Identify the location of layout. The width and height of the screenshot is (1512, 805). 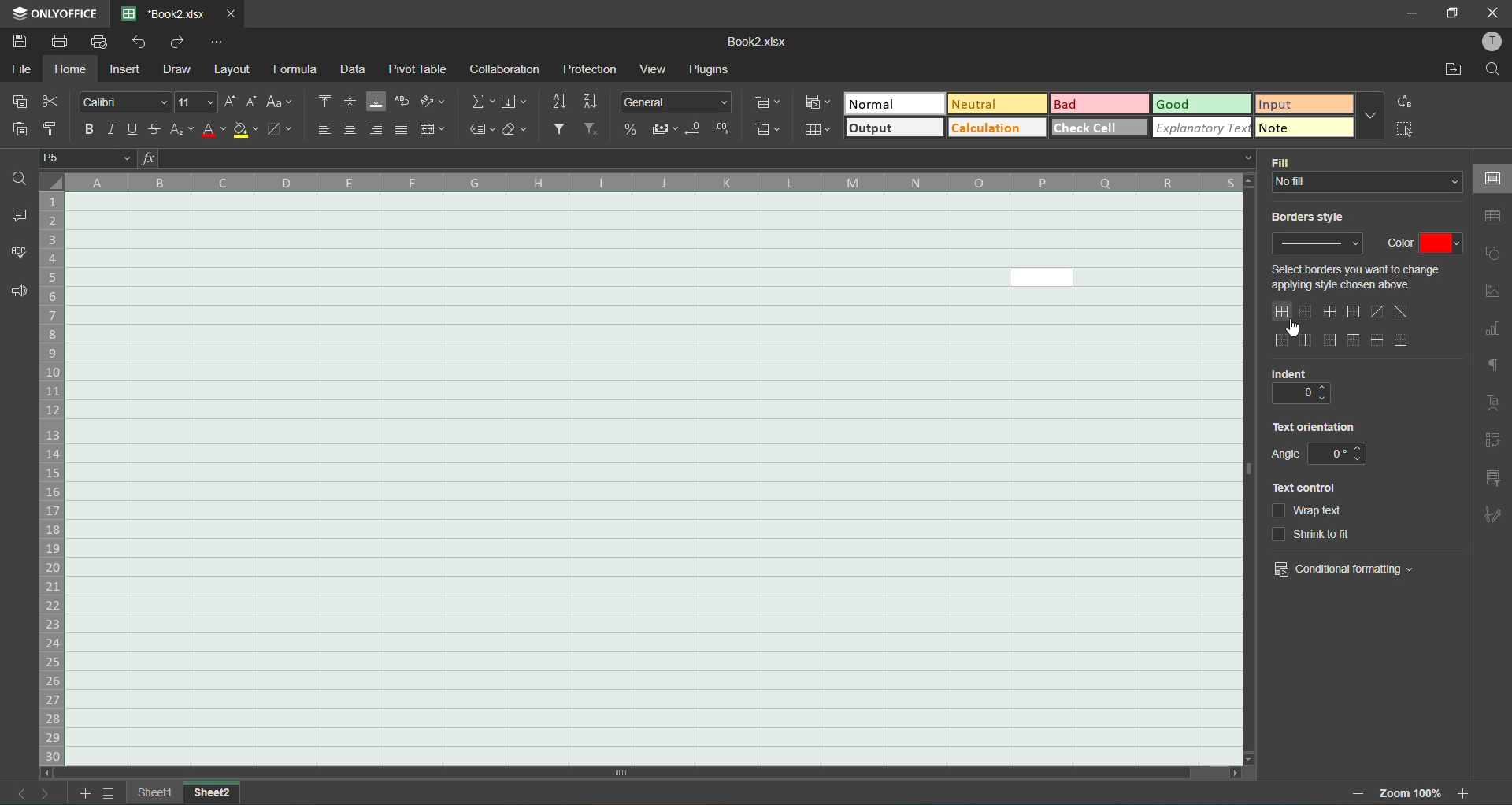
(232, 71).